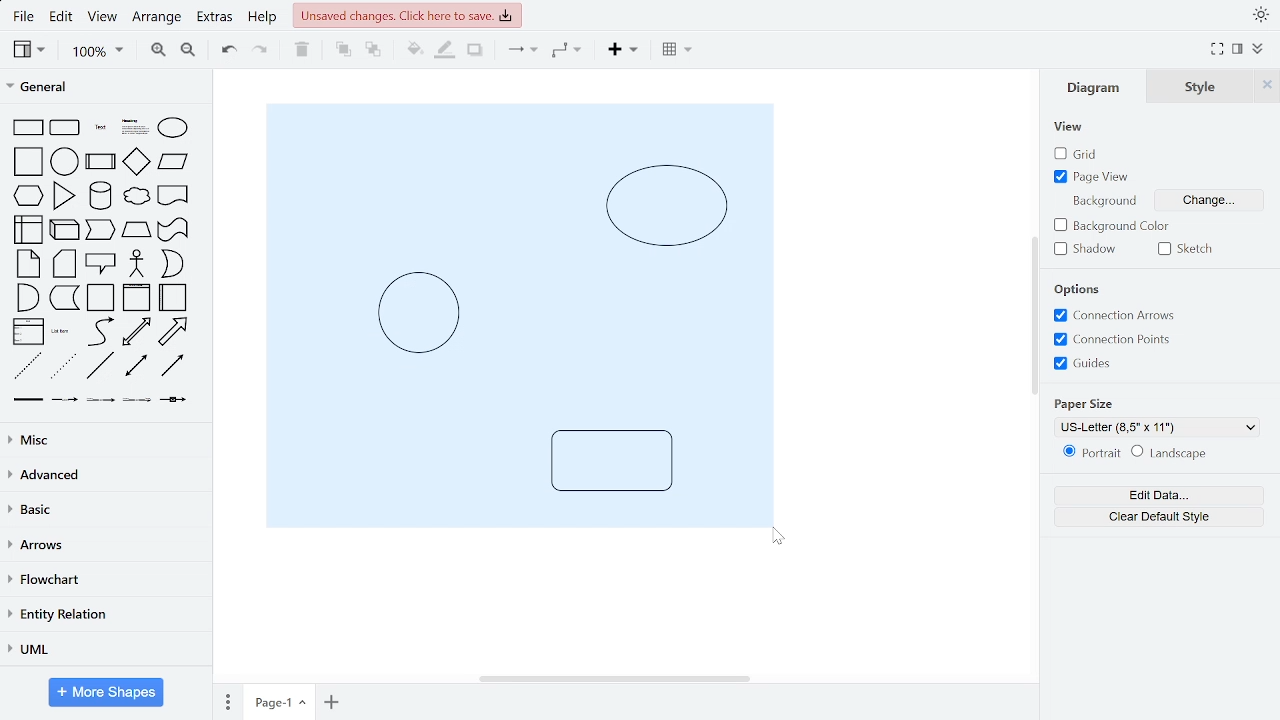 The height and width of the screenshot is (720, 1280). I want to click on insert, so click(621, 52).